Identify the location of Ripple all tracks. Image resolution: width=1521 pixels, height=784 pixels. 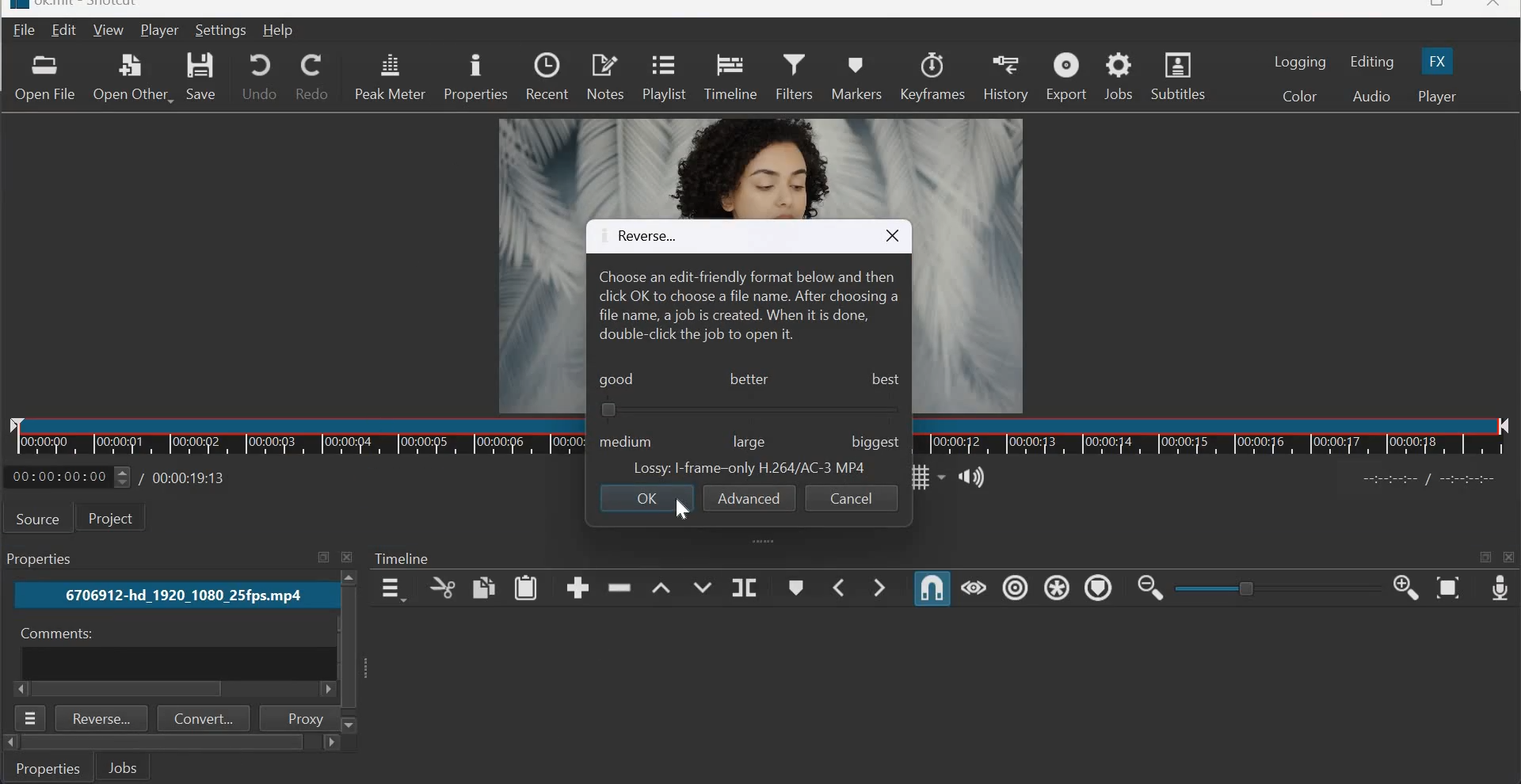
(1056, 587).